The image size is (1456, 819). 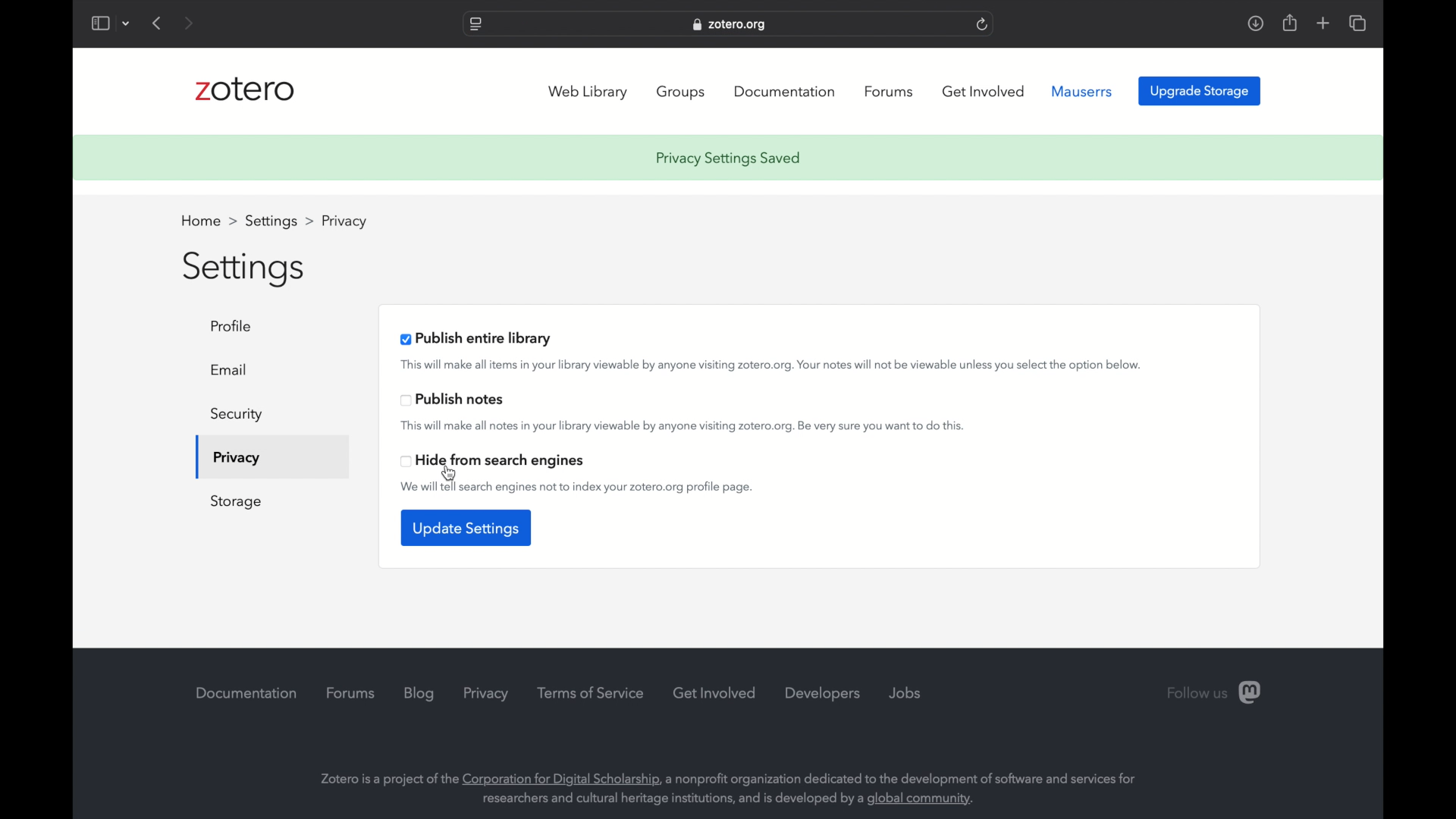 I want to click on update settings, so click(x=467, y=527).